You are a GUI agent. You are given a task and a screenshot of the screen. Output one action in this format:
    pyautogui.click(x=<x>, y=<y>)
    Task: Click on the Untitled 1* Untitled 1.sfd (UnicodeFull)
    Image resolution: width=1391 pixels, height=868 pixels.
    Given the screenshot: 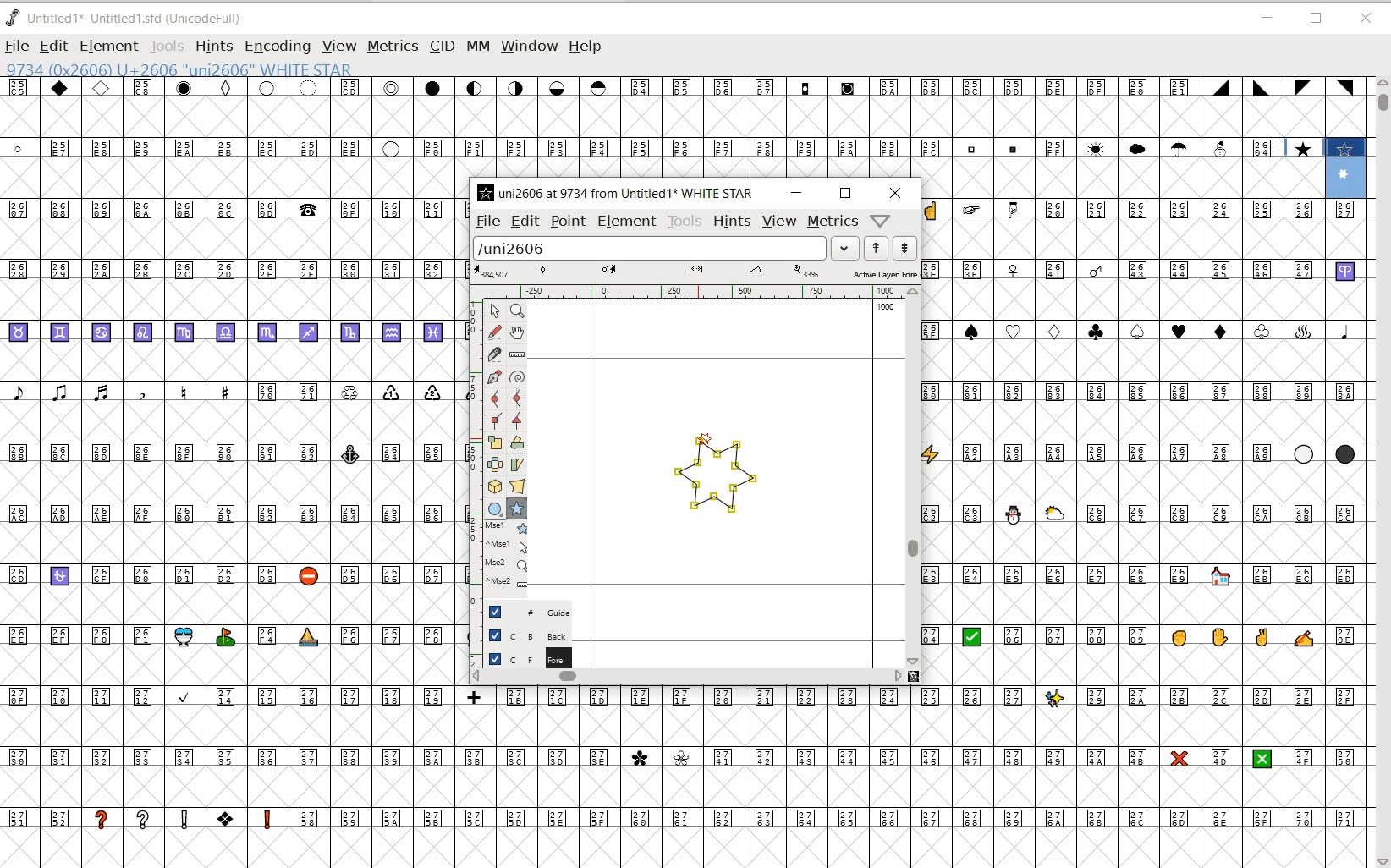 What is the action you would take?
    pyautogui.click(x=130, y=19)
    